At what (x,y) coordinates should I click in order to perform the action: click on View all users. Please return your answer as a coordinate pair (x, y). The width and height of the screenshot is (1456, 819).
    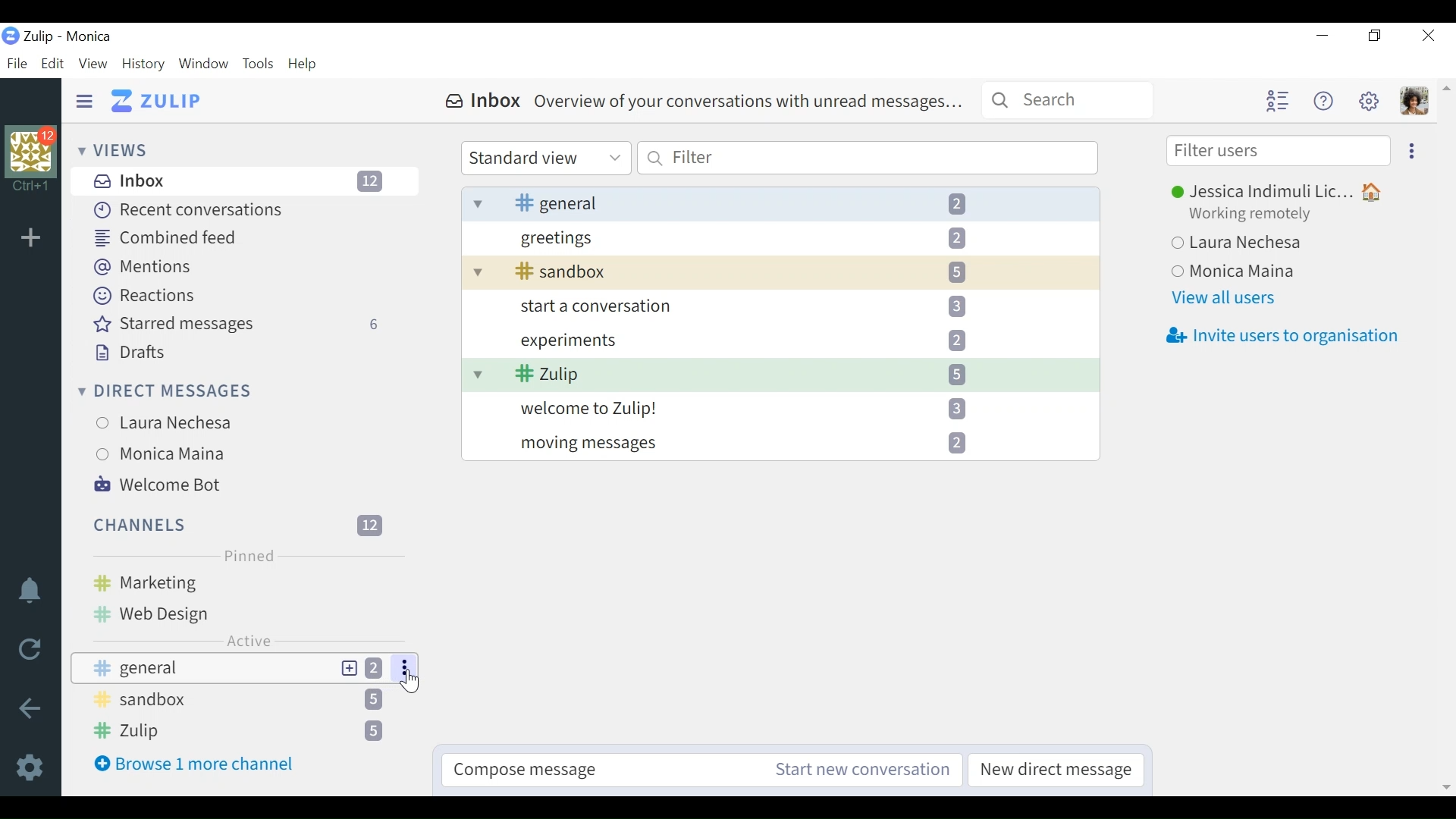
    Looking at the image, I should click on (1227, 298).